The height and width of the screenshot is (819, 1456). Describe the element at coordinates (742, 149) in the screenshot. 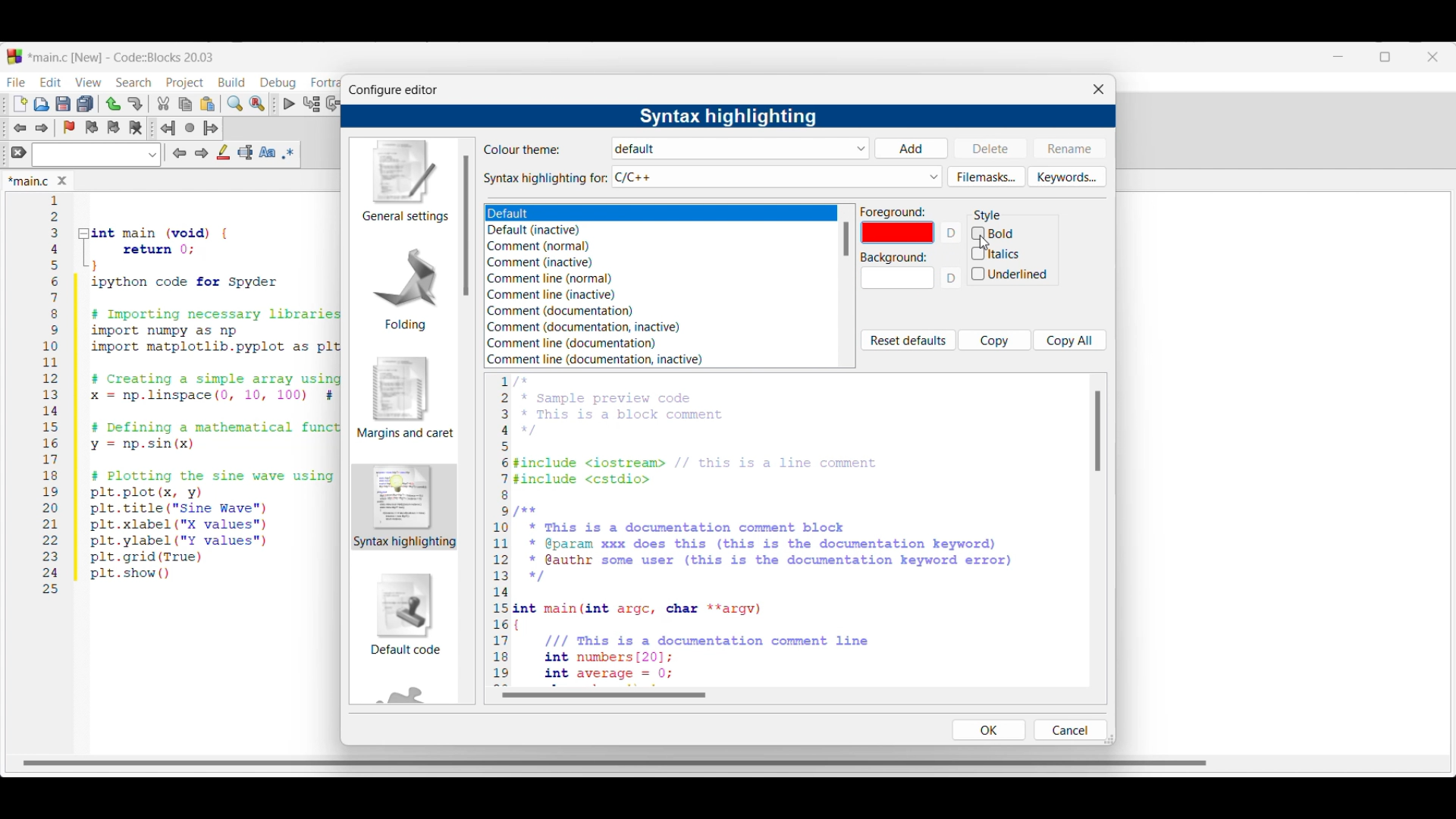

I see `Theme options` at that location.